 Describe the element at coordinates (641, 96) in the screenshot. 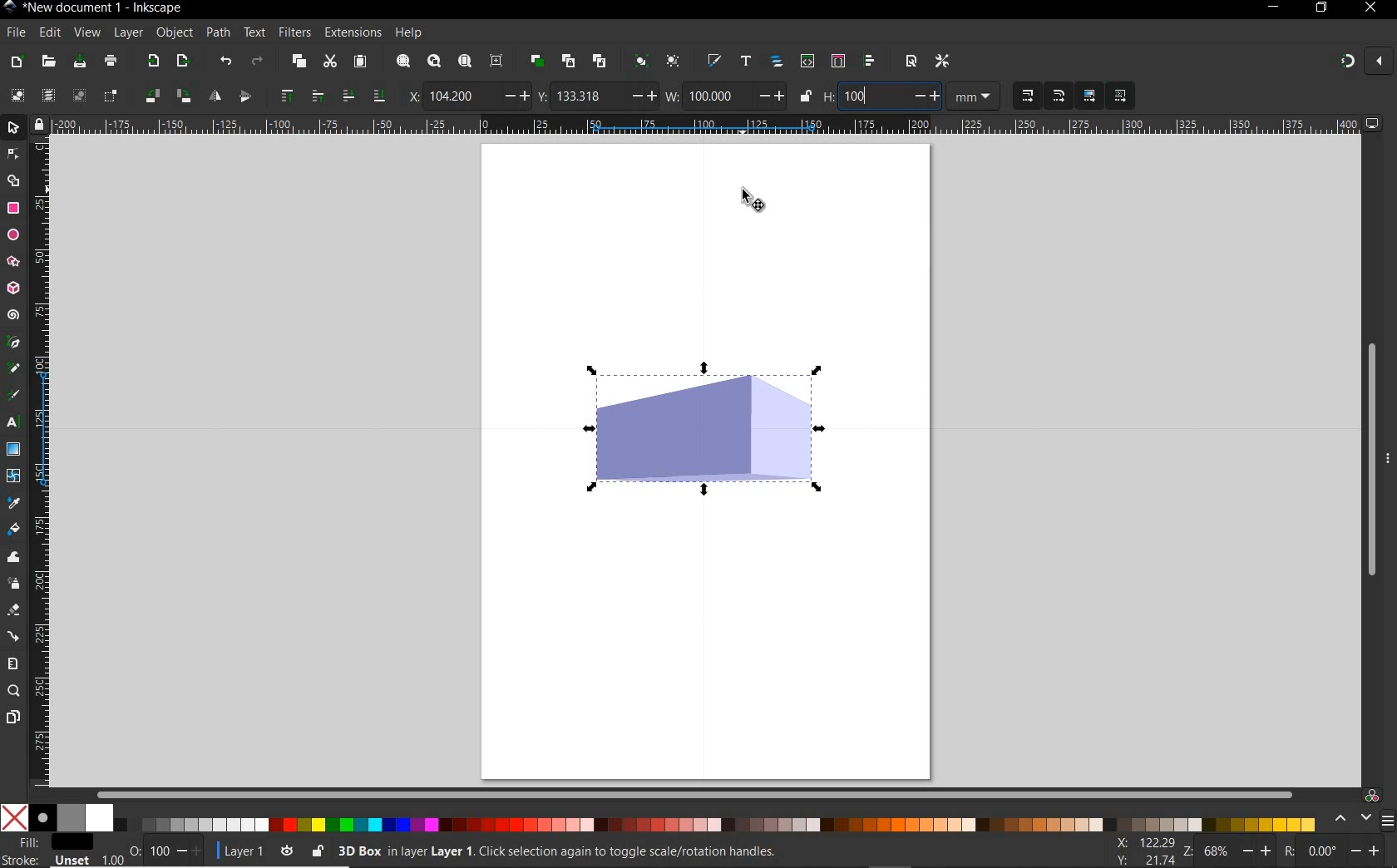

I see `increase/decrease` at that location.